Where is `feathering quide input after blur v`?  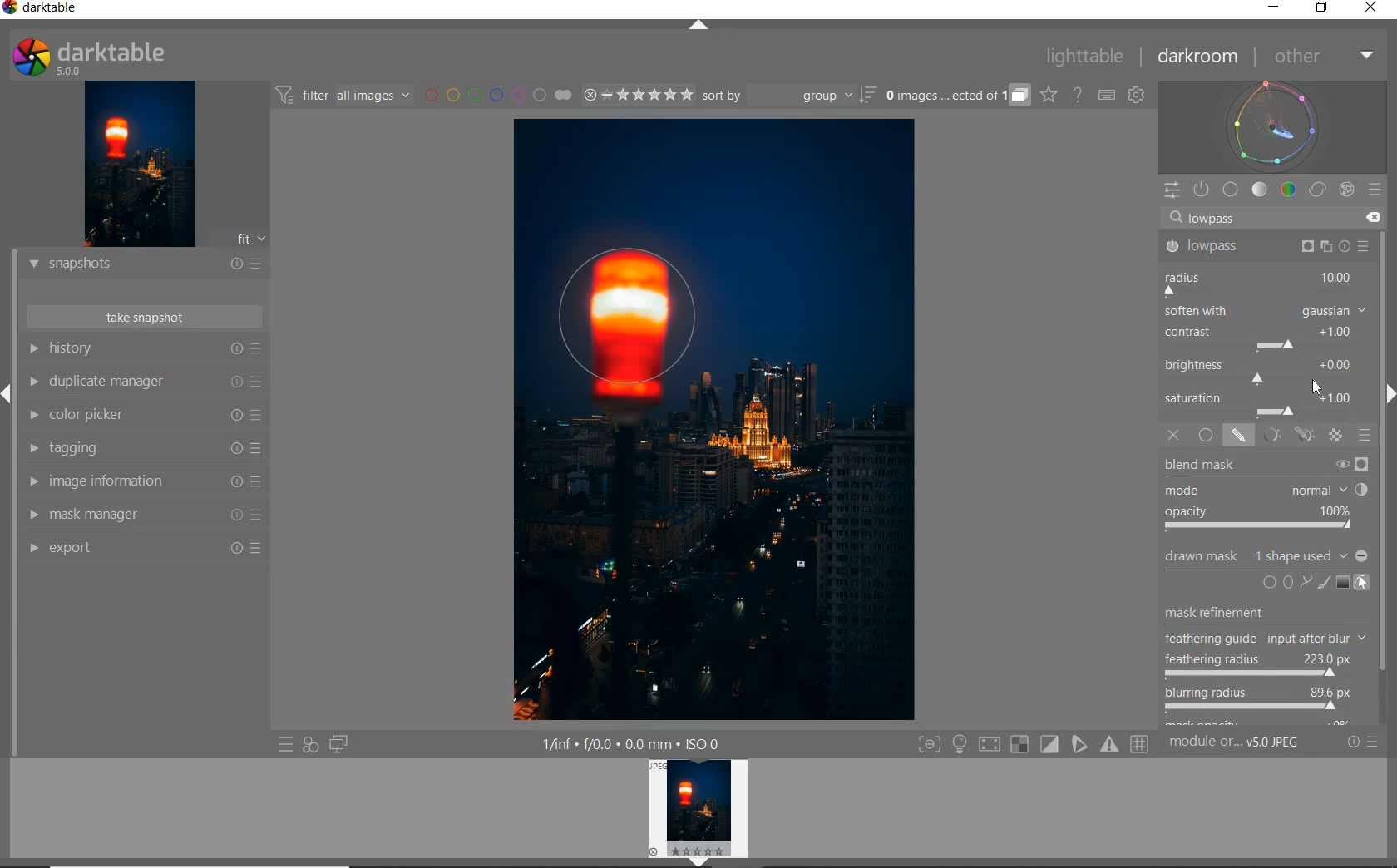 feathering quide input after blur v is located at coordinates (1268, 639).